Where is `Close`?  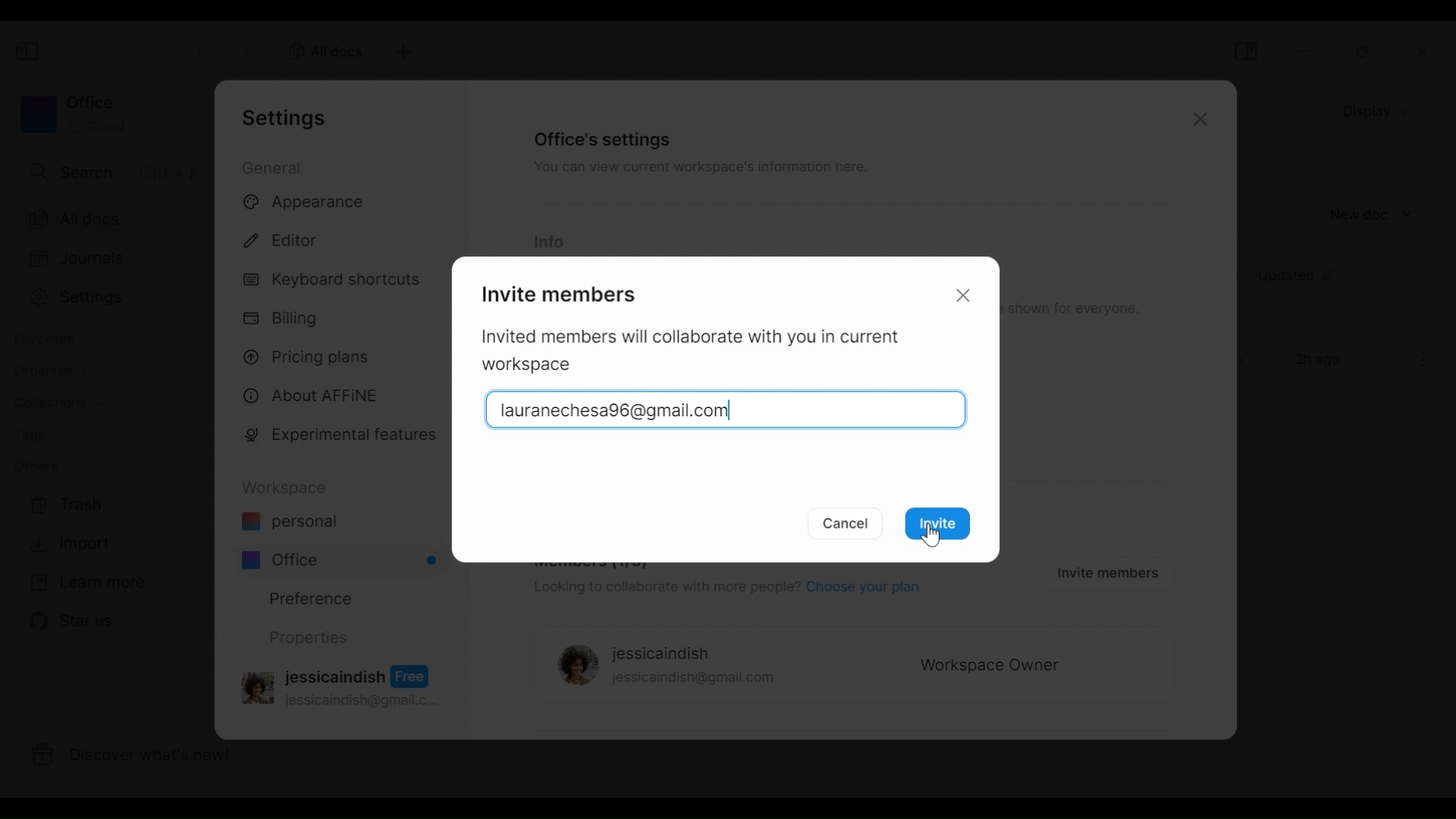
Close is located at coordinates (1197, 121).